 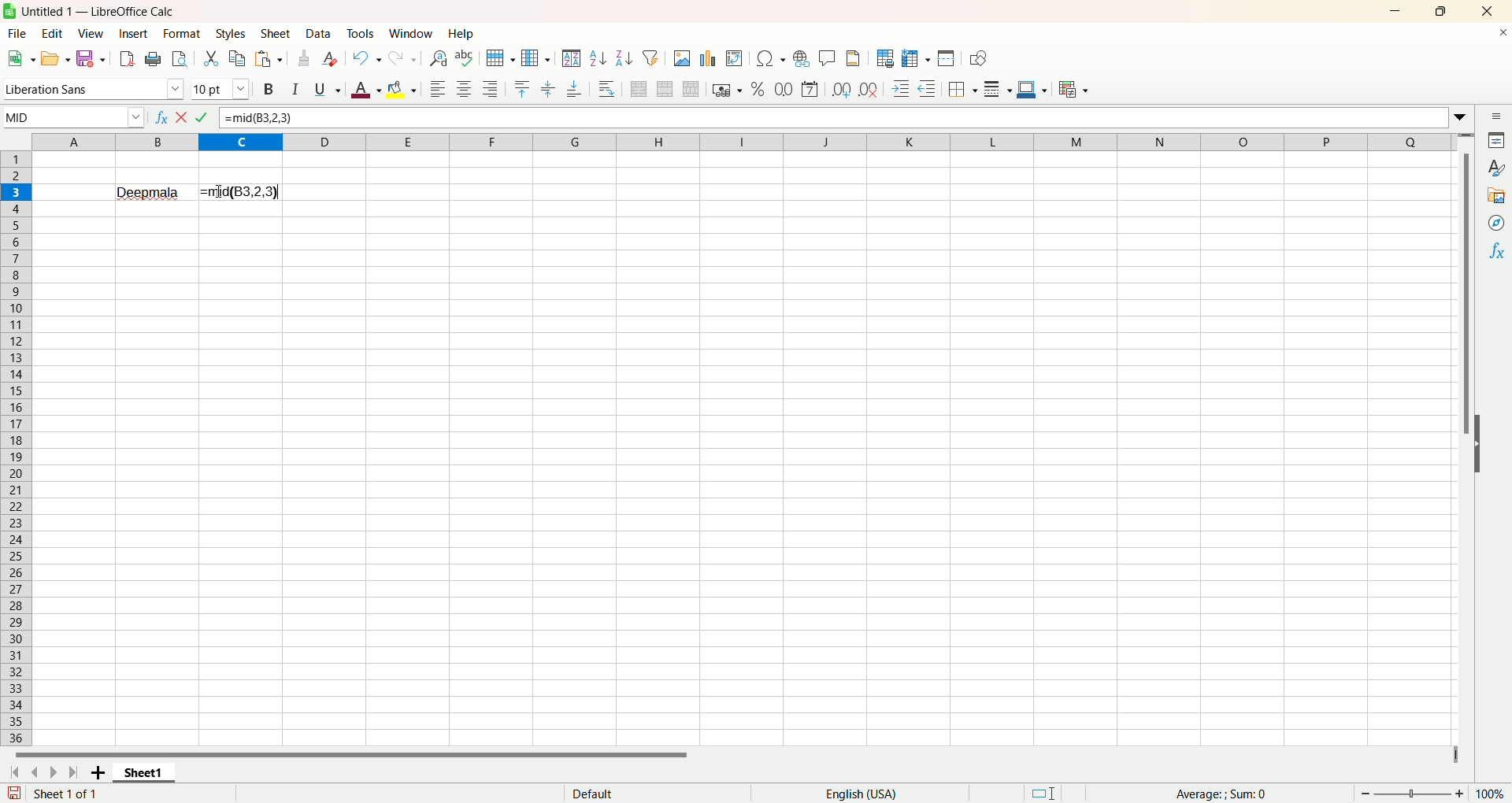 What do you see at coordinates (521, 90) in the screenshot?
I see `Align top` at bounding box center [521, 90].